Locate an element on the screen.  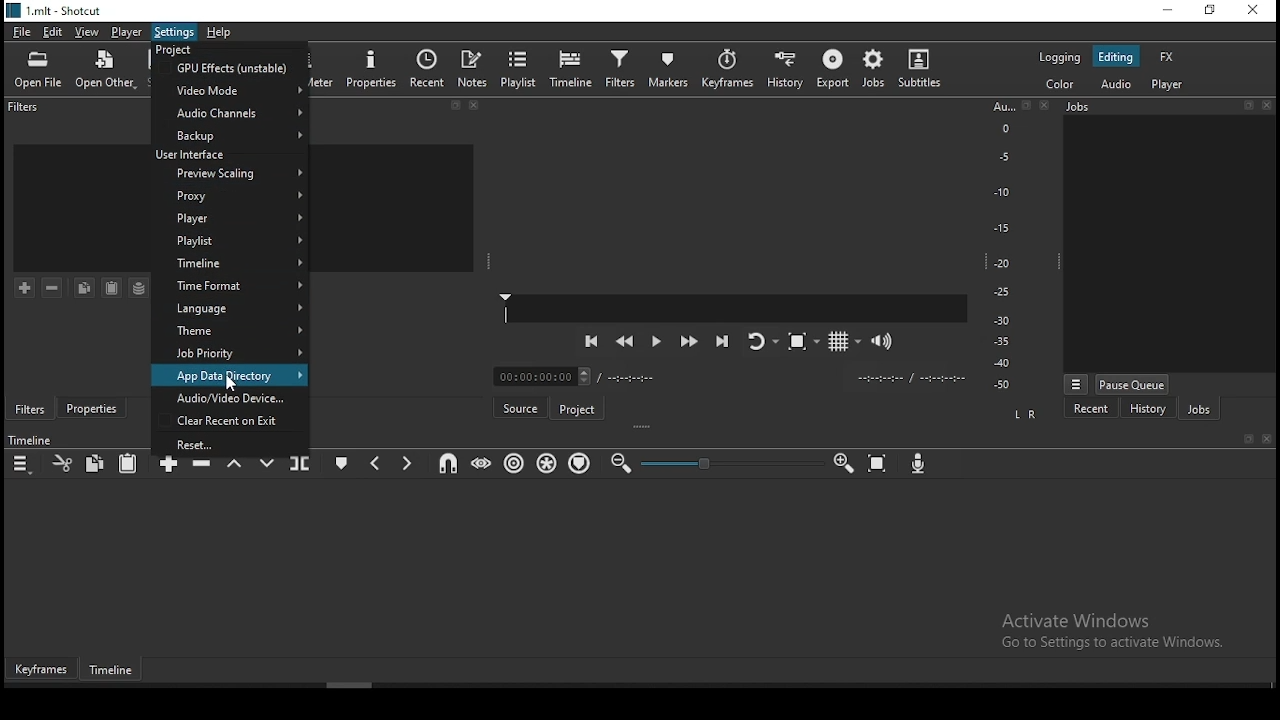
subtitles is located at coordinates (924, 68).